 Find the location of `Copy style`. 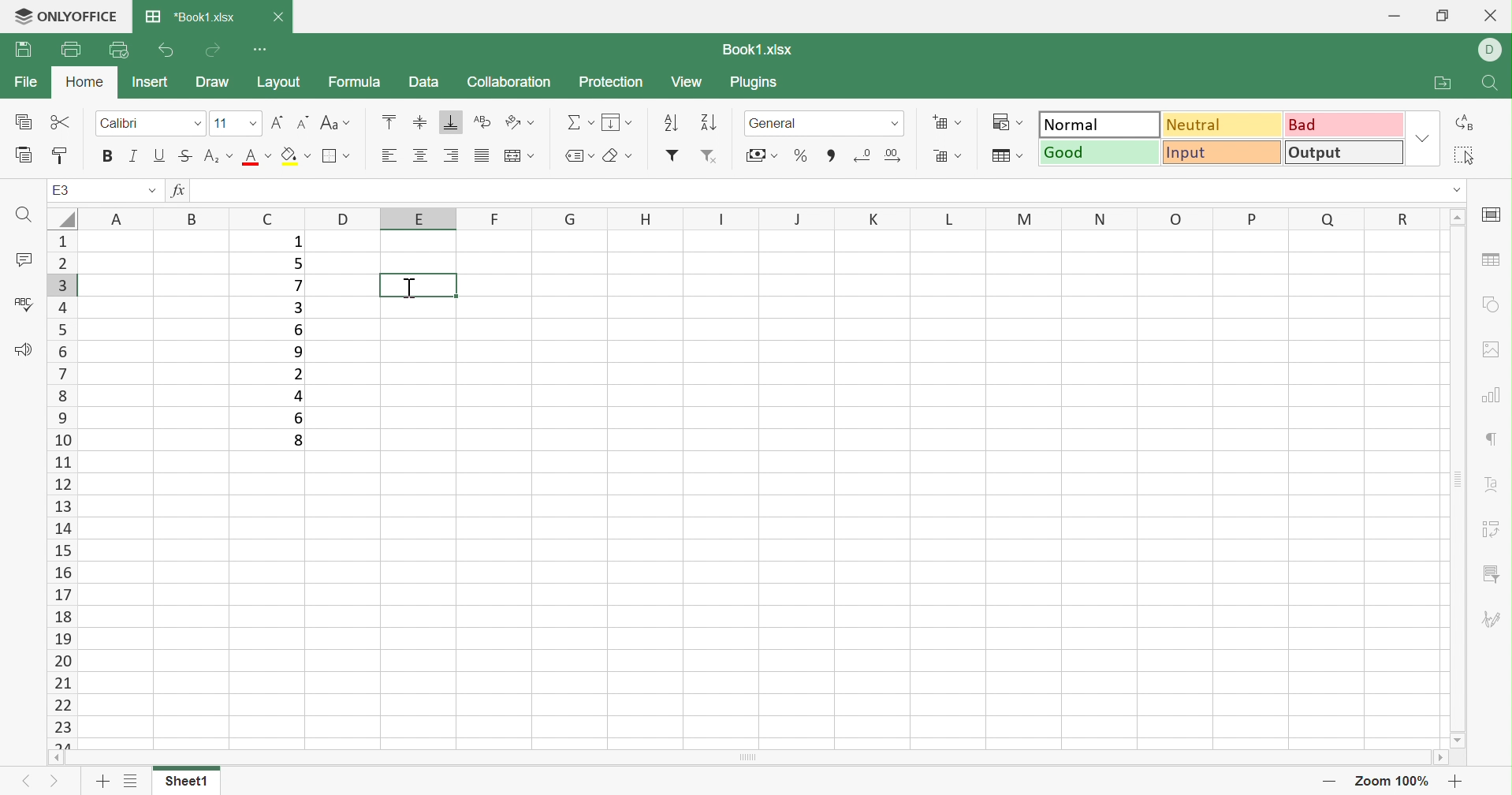

Copy style is located at coordinates (64, 156).